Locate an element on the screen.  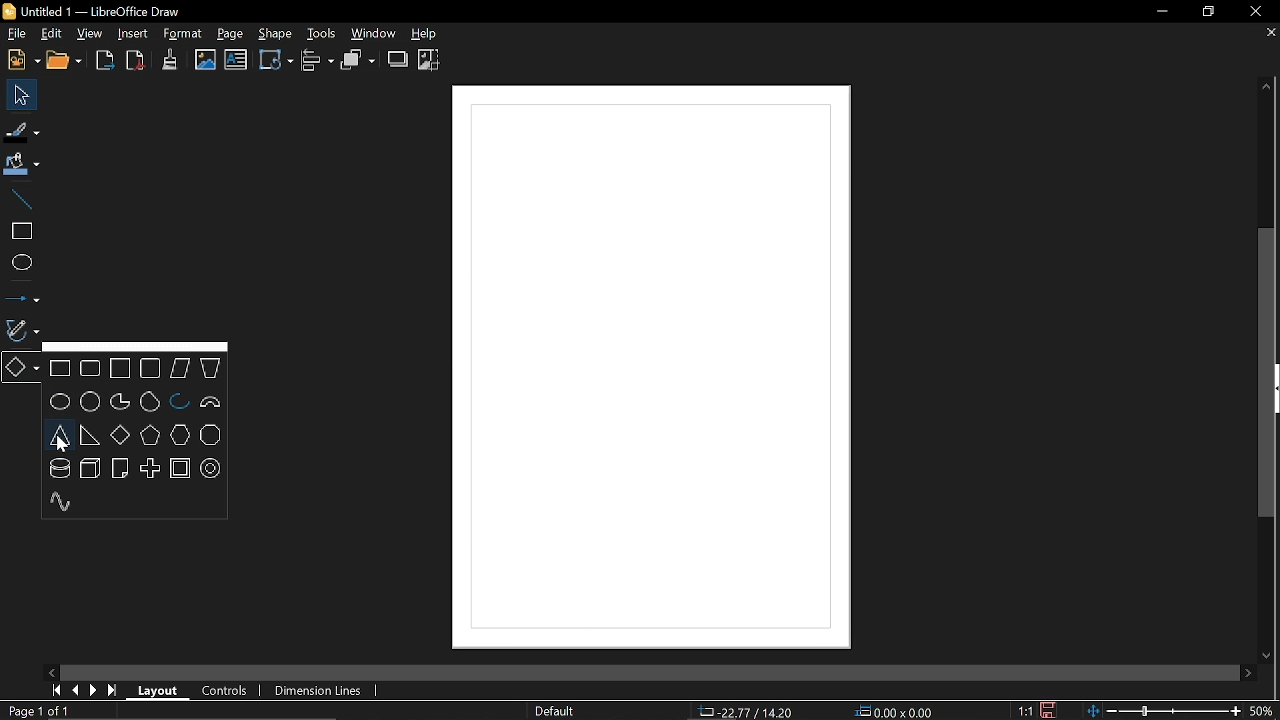
fill line is located at coordinates (23, 131).